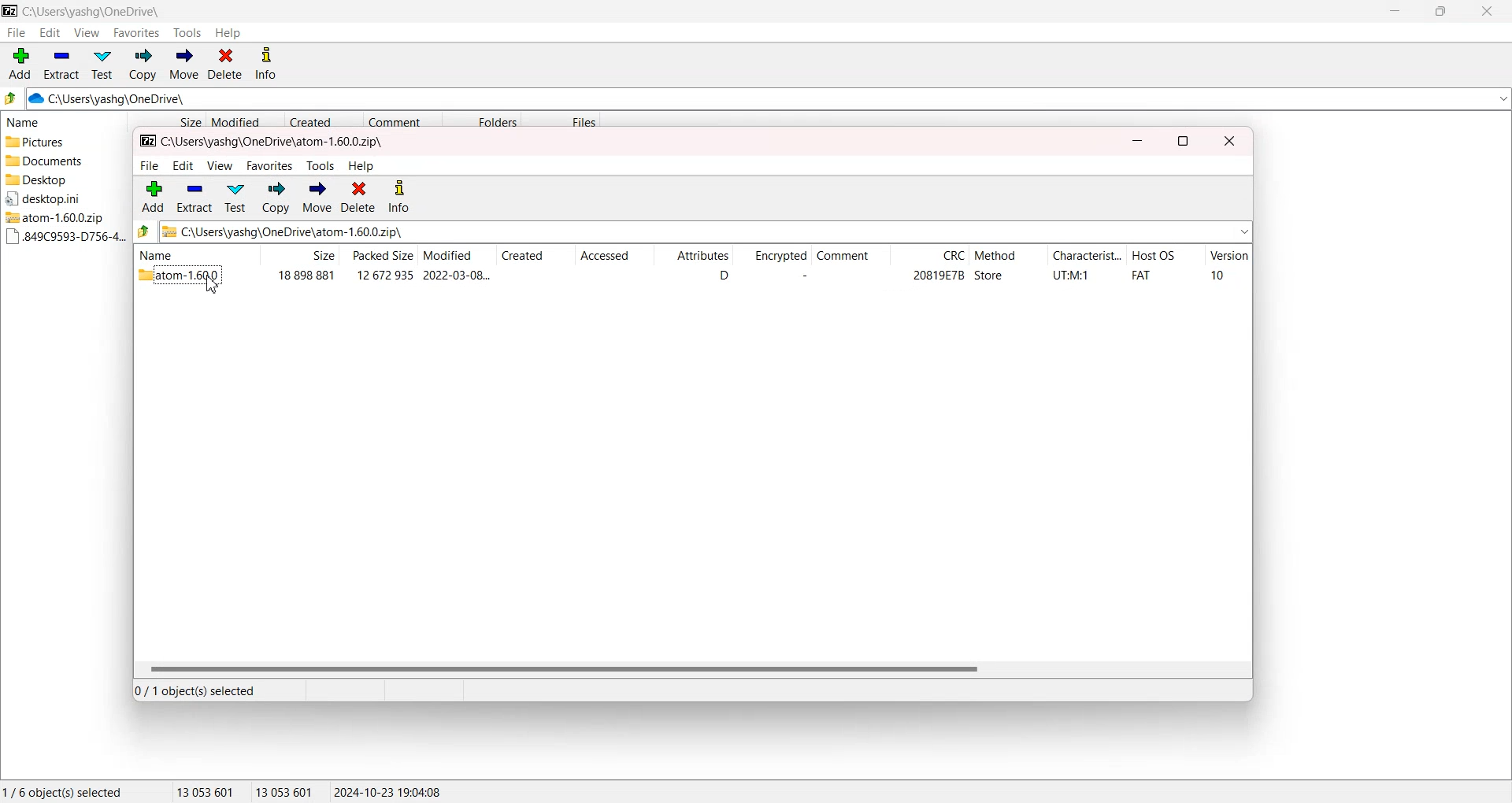  I want to click on Files, so click(562, 120).